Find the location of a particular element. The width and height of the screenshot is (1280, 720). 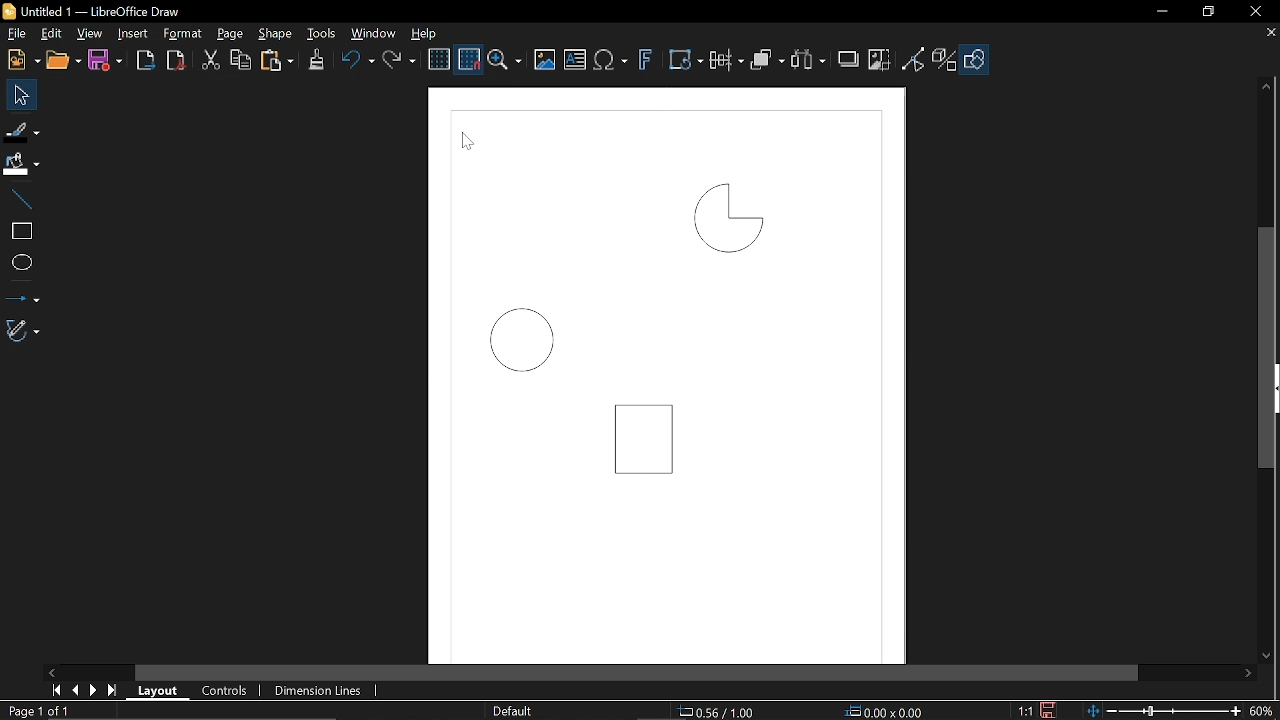

Zoom is located at coordinates (1262, 711).